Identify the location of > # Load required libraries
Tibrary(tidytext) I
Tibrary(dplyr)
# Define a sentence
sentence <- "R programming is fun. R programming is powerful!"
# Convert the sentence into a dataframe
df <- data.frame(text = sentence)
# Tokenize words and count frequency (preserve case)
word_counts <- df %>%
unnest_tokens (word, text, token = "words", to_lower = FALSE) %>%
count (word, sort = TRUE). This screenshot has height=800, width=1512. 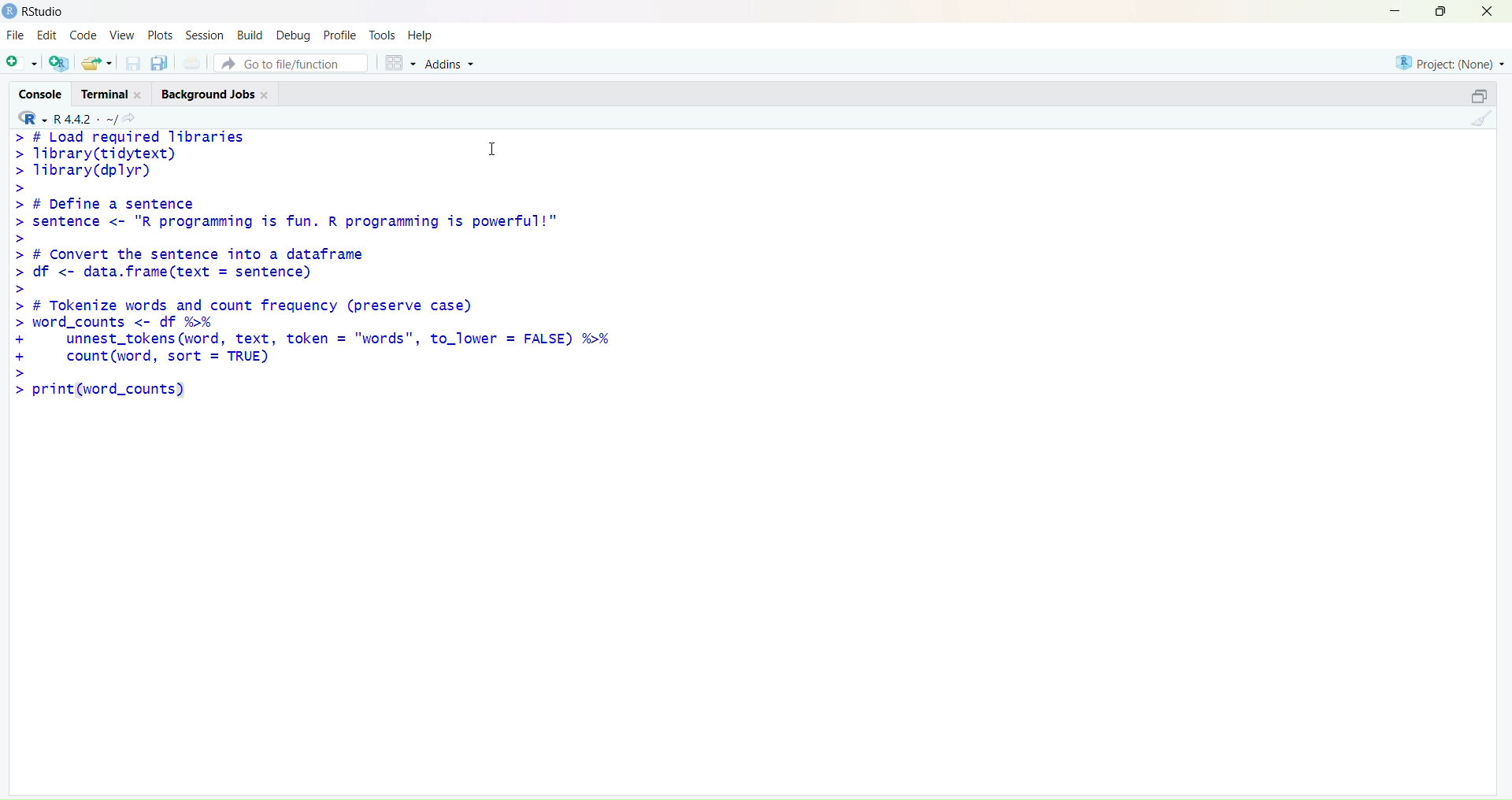
(362, 254).